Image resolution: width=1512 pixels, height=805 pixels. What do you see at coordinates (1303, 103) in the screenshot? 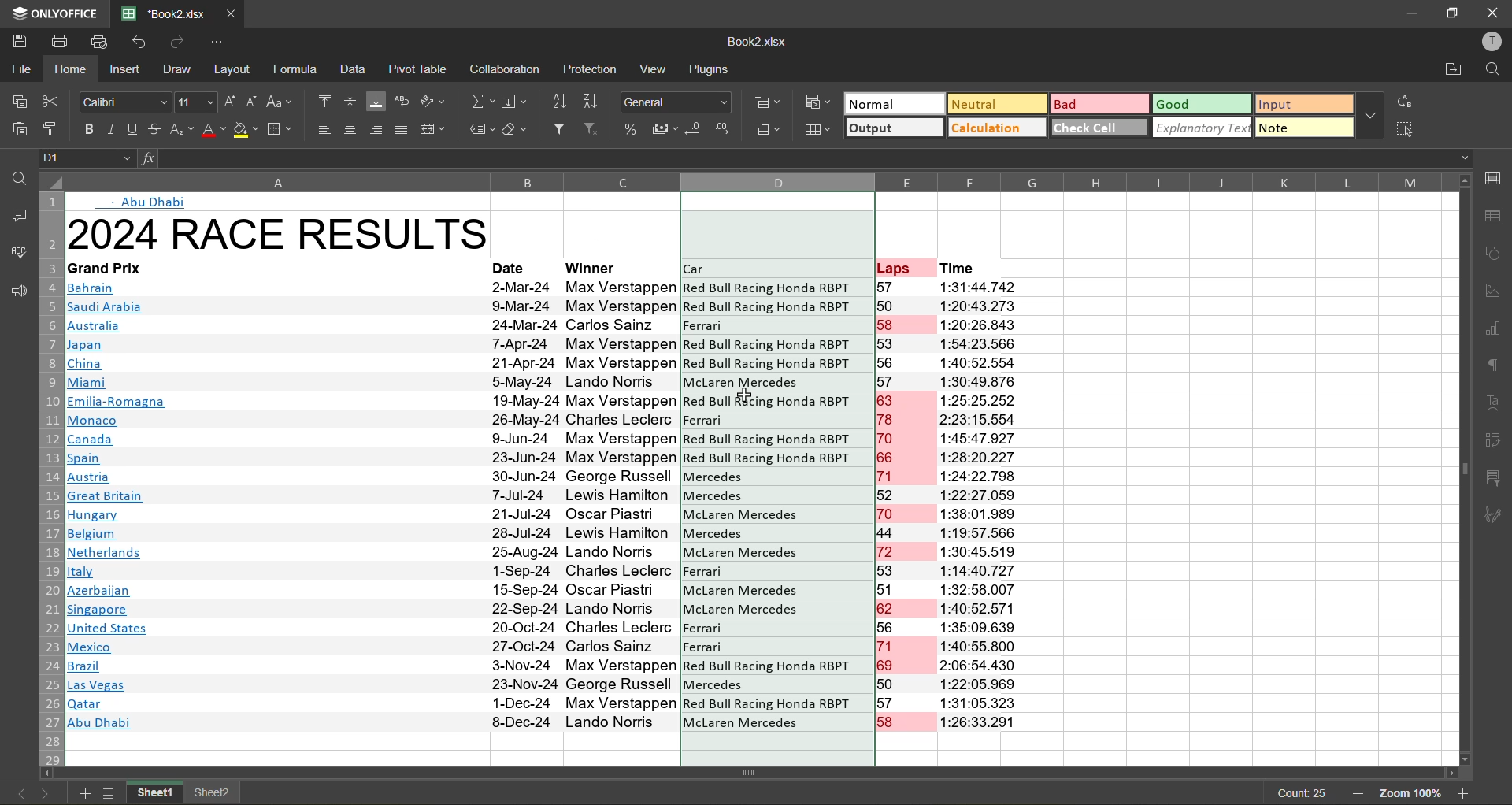
I see `input` at bounding box center [1303, 103].